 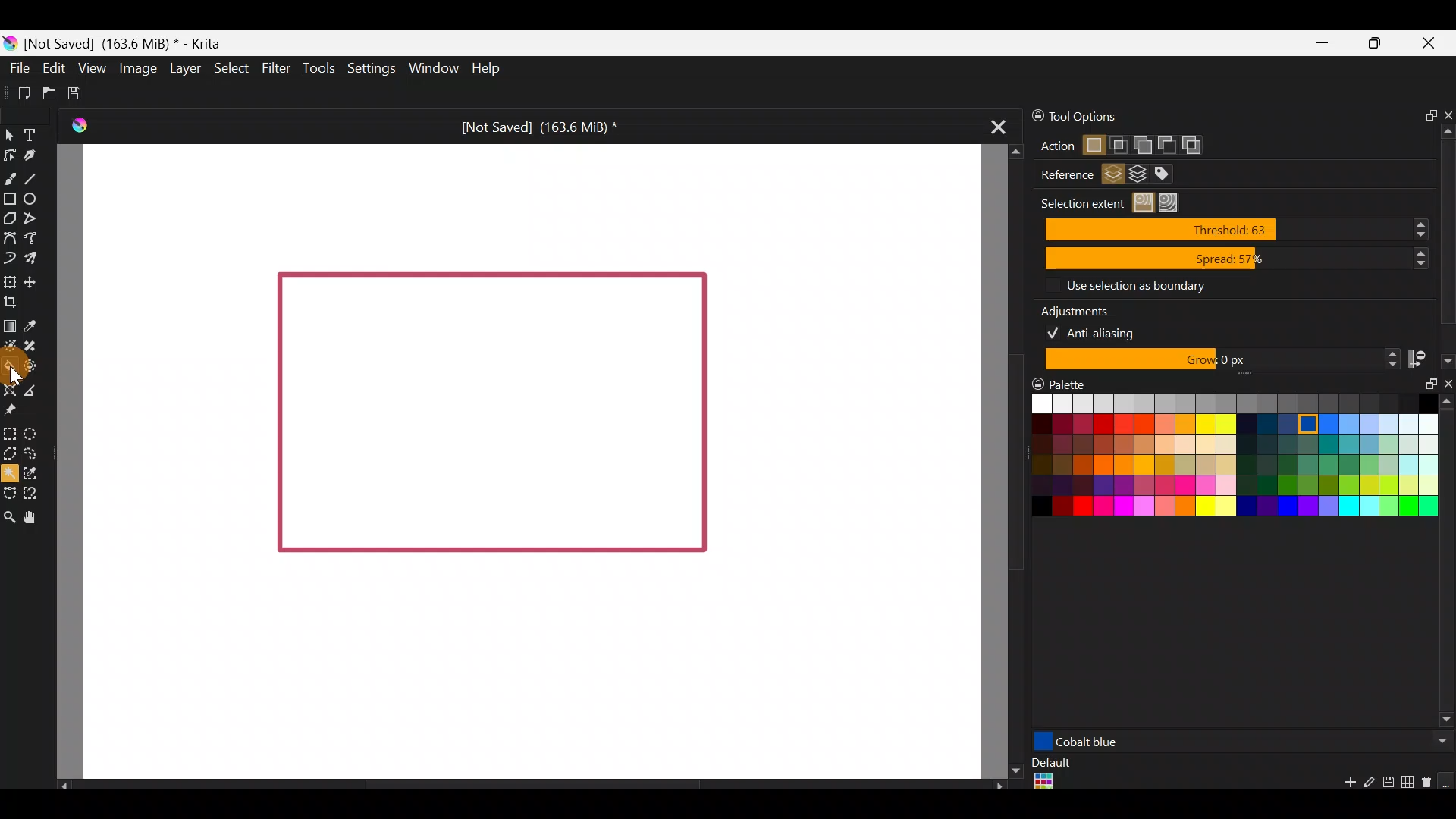 I want to click on Similar colour selection tool, so click(x=42, y=472).